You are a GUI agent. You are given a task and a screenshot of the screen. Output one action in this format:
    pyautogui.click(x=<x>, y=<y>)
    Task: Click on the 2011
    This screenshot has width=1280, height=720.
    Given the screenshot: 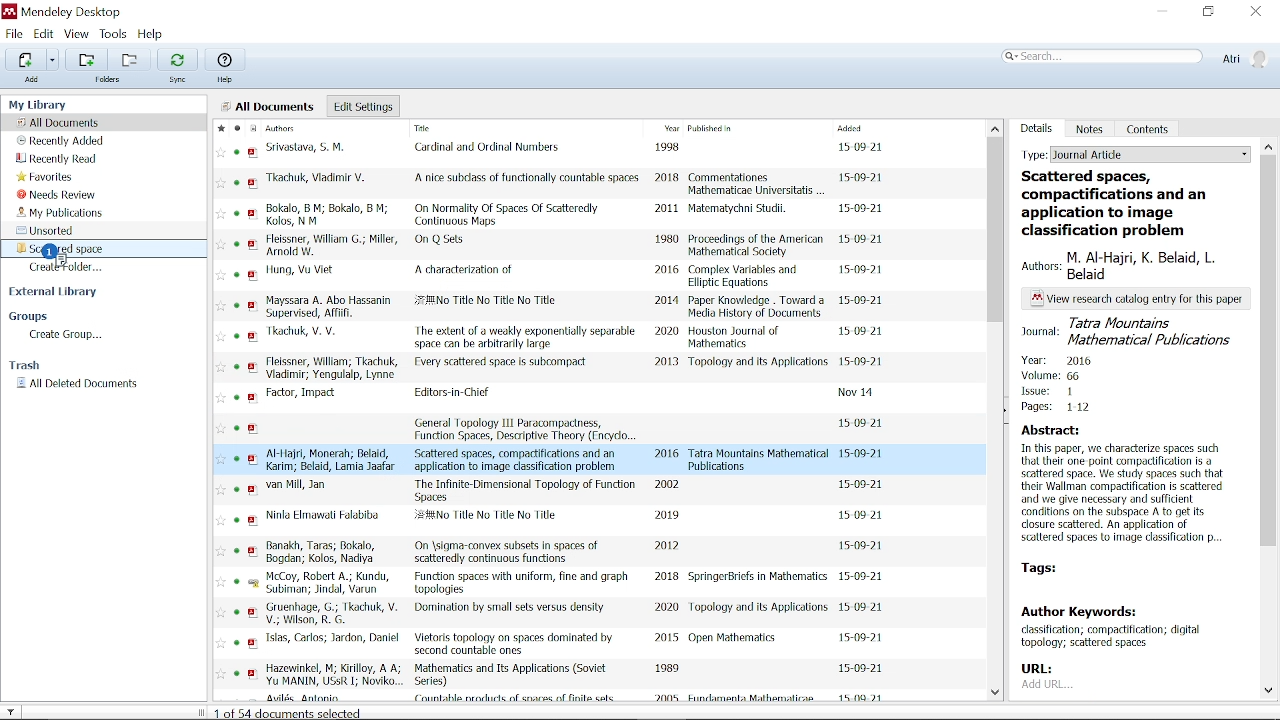 What is the action you would take?
    pyautogui.click(x=666, y=208)
    